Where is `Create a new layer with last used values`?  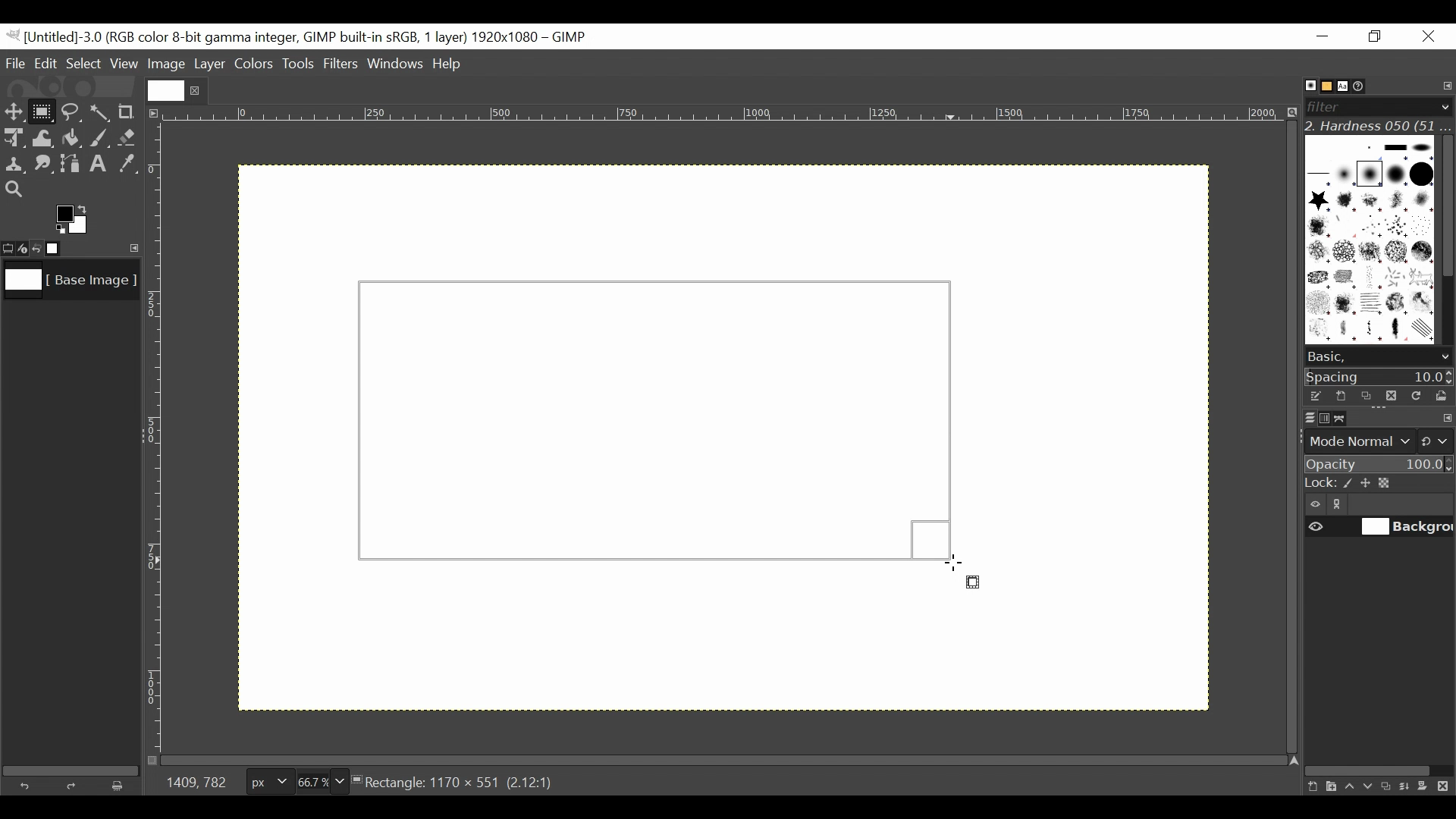
Create a new layer with last used values is located at coordinates (1310, 787).